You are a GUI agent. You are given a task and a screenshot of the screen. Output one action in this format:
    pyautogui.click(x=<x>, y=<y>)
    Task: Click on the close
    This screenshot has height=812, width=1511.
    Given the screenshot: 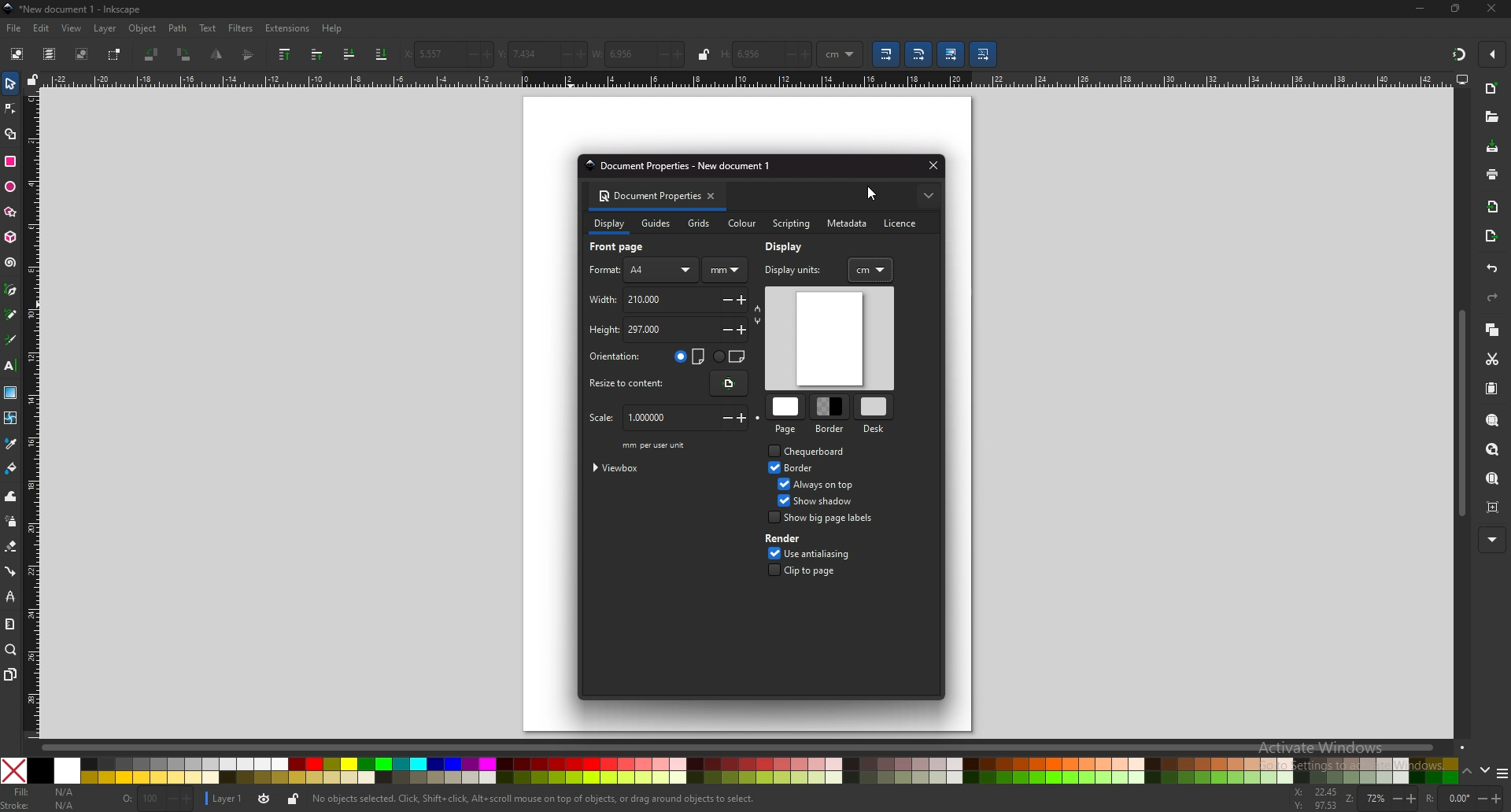 What is the action you would take?
    pyautogui.click(x=930, y=165)
    